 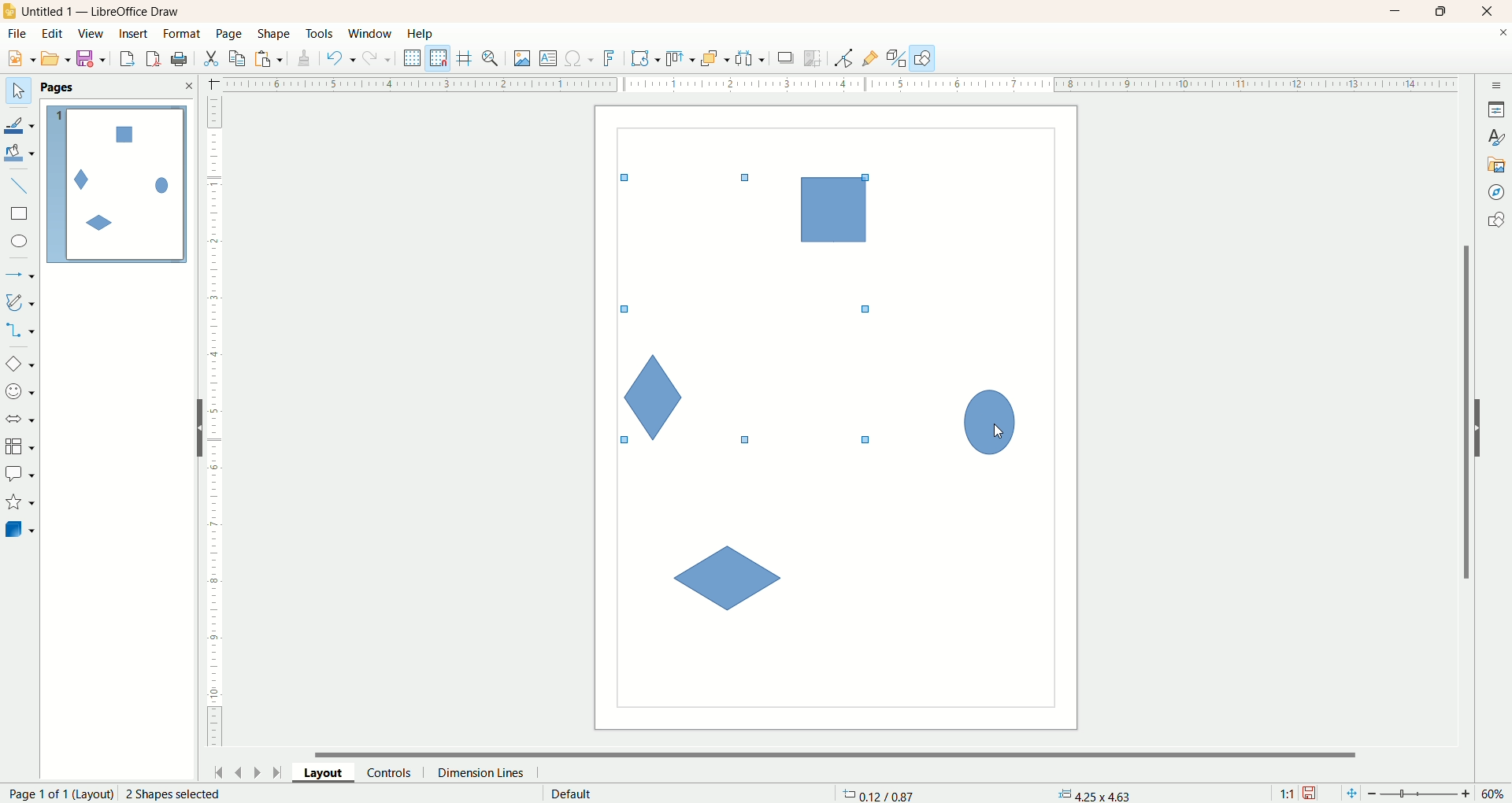 I want to click on pages, so click(x=57, y=87).